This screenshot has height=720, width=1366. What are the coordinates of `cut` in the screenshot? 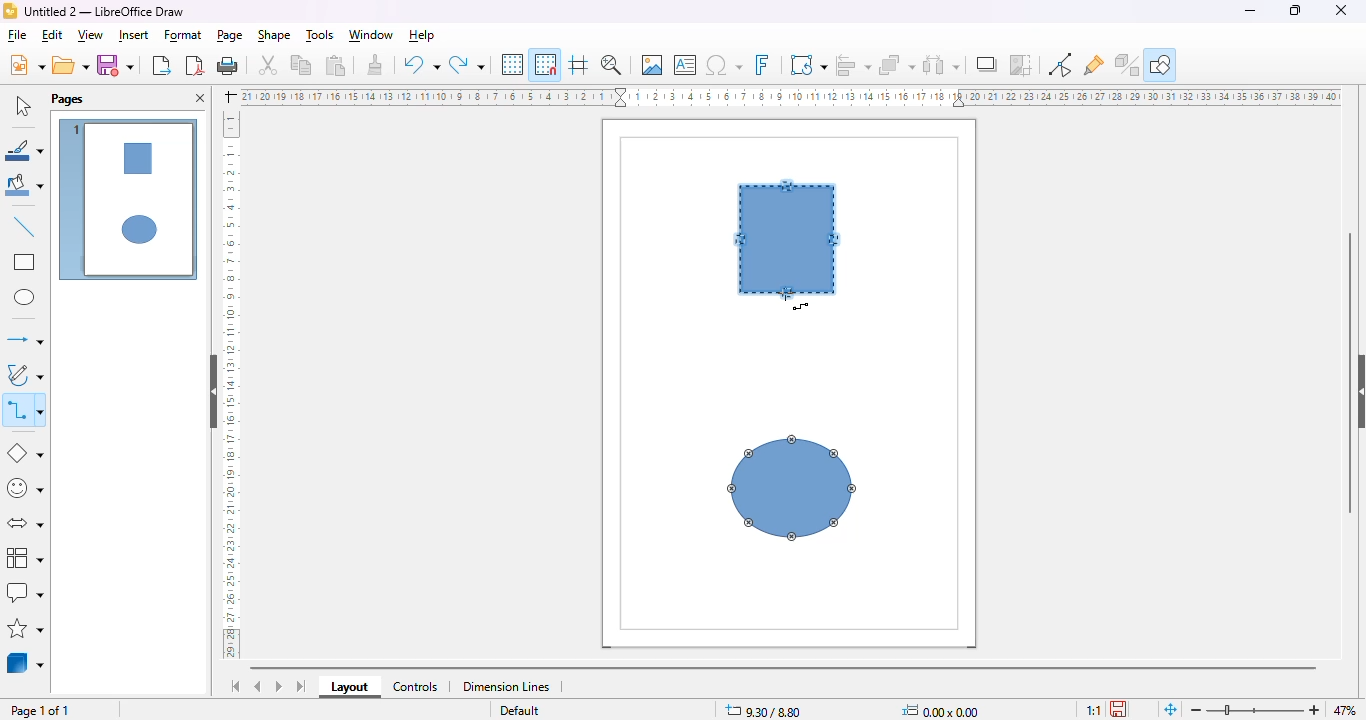 It's located at (268, 65).